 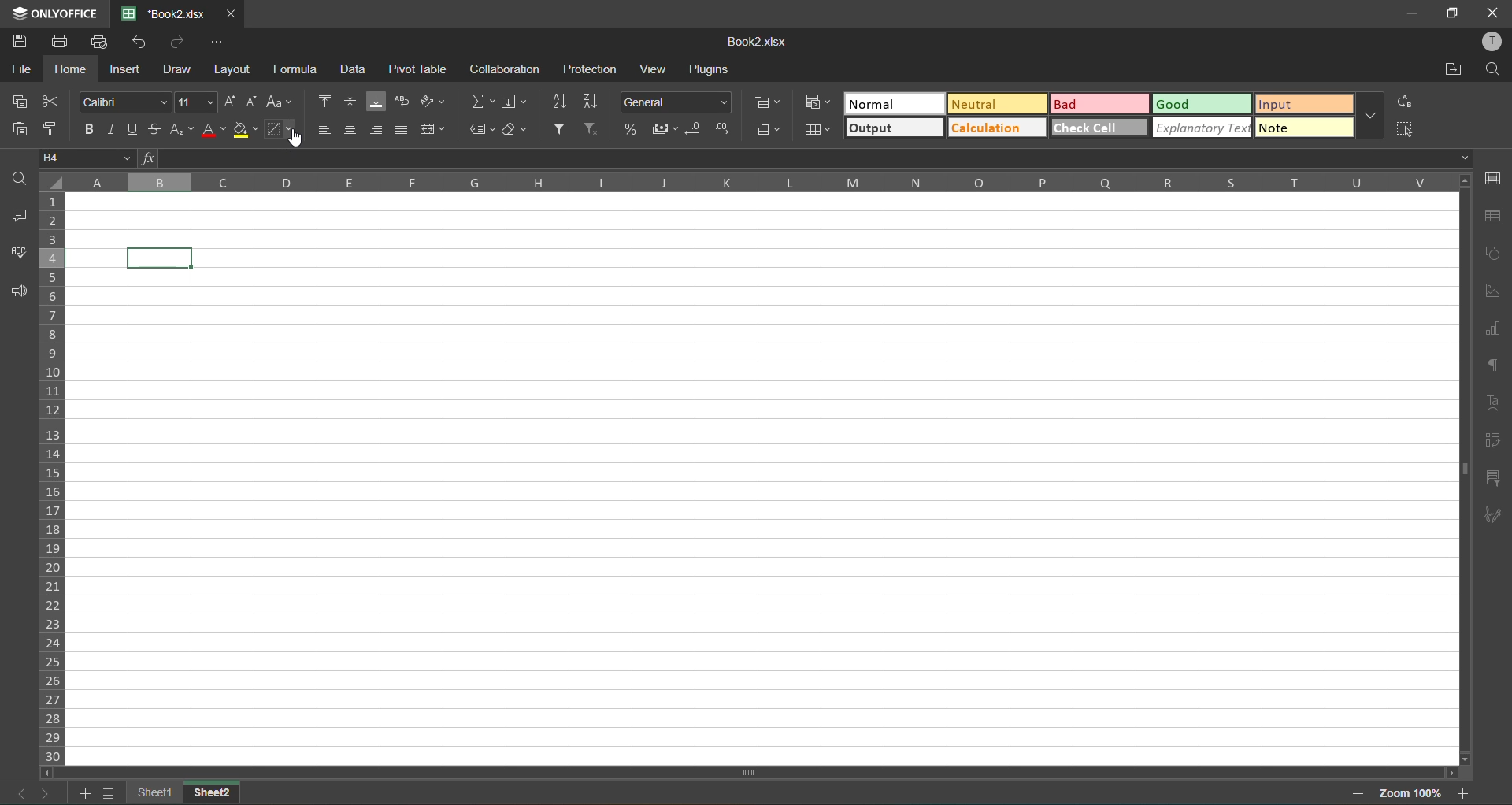 I want to click on paste, so click(x=25, y=129).